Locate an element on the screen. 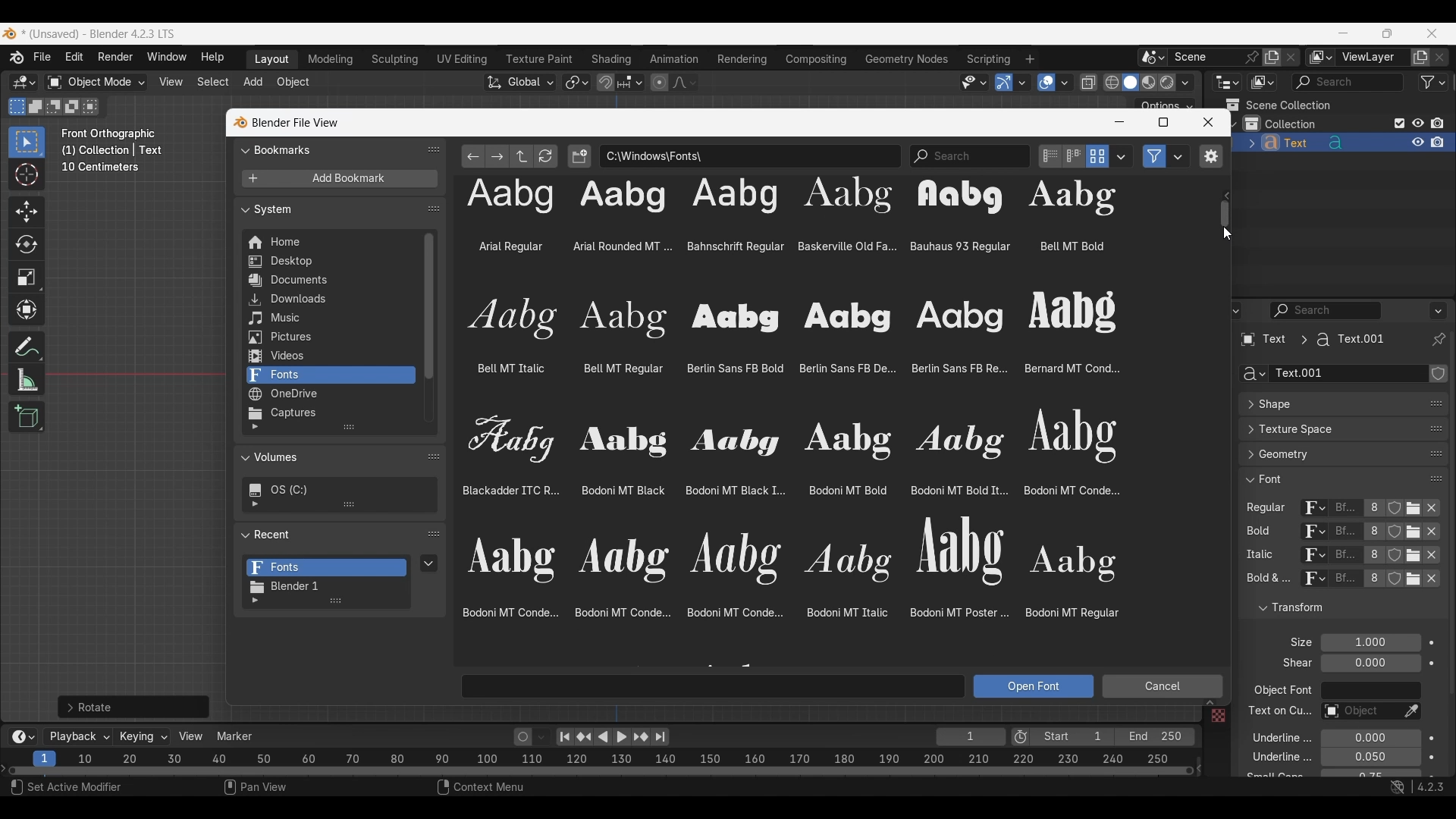 This screenshot has height=819, width=1456. Show overlay is located at coordinates (1046, 83).